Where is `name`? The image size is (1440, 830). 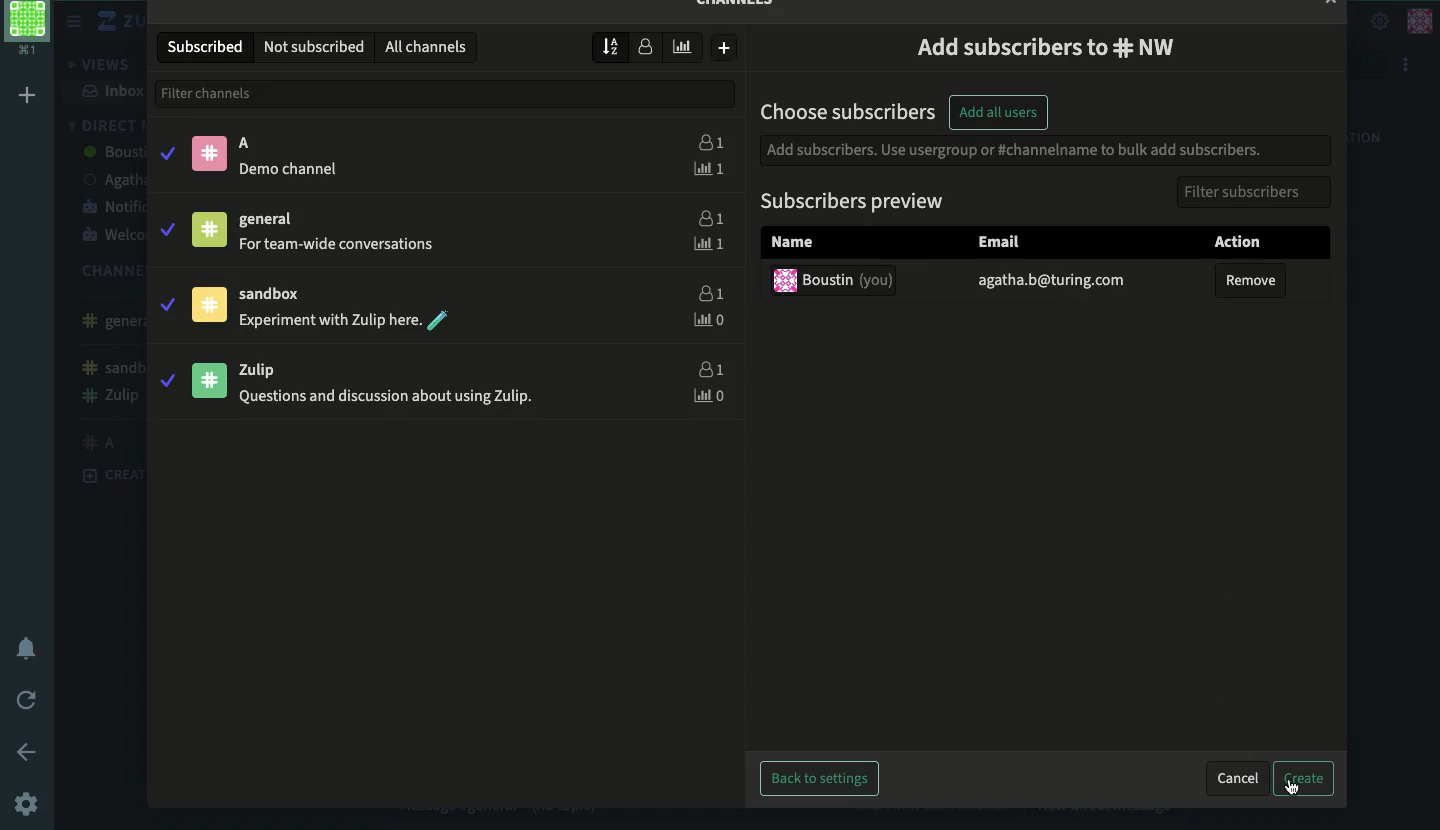
name is located at coordinates (792, 245).